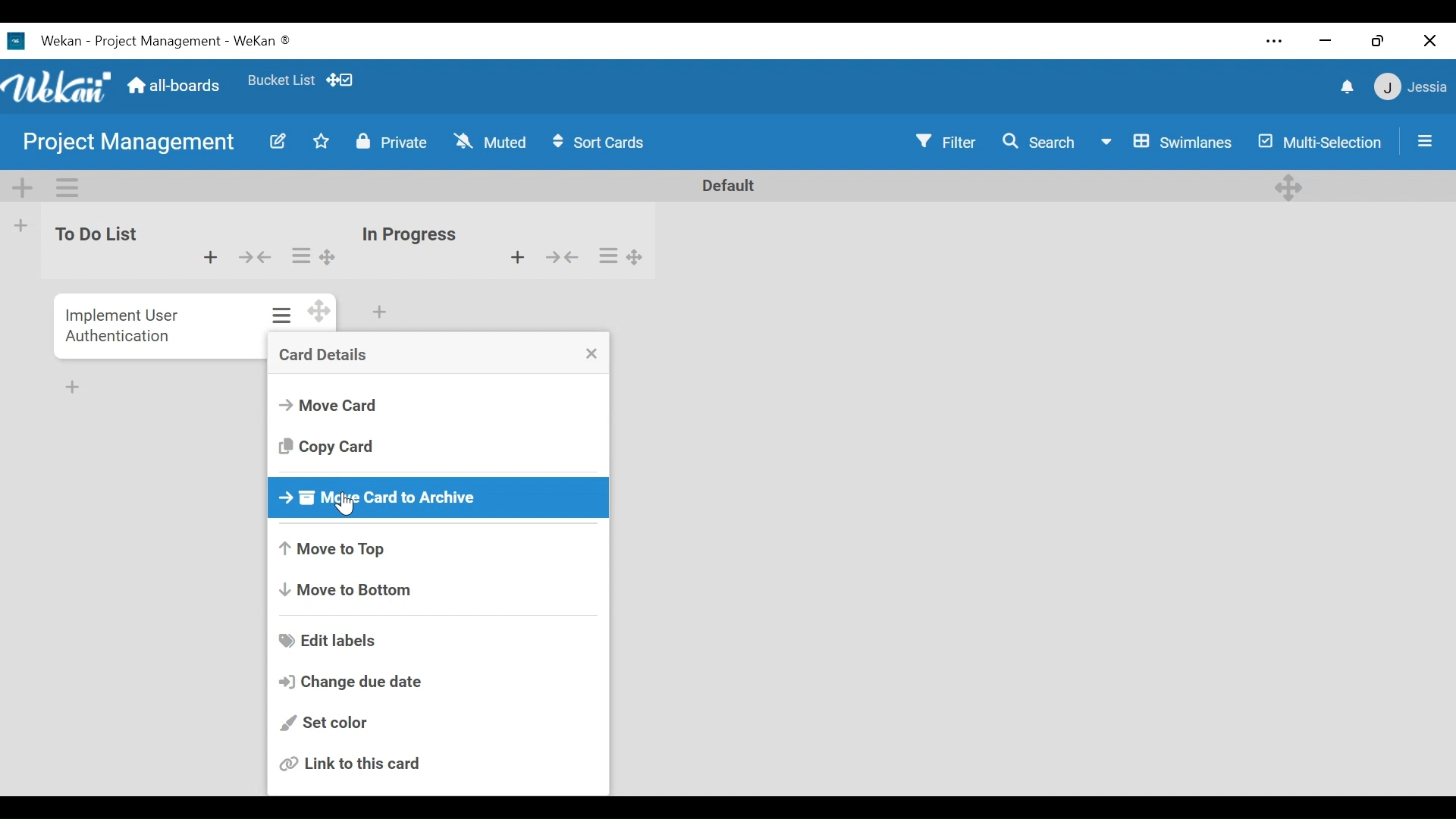  I want to click on Move Card to Archive, so click(439, 497).